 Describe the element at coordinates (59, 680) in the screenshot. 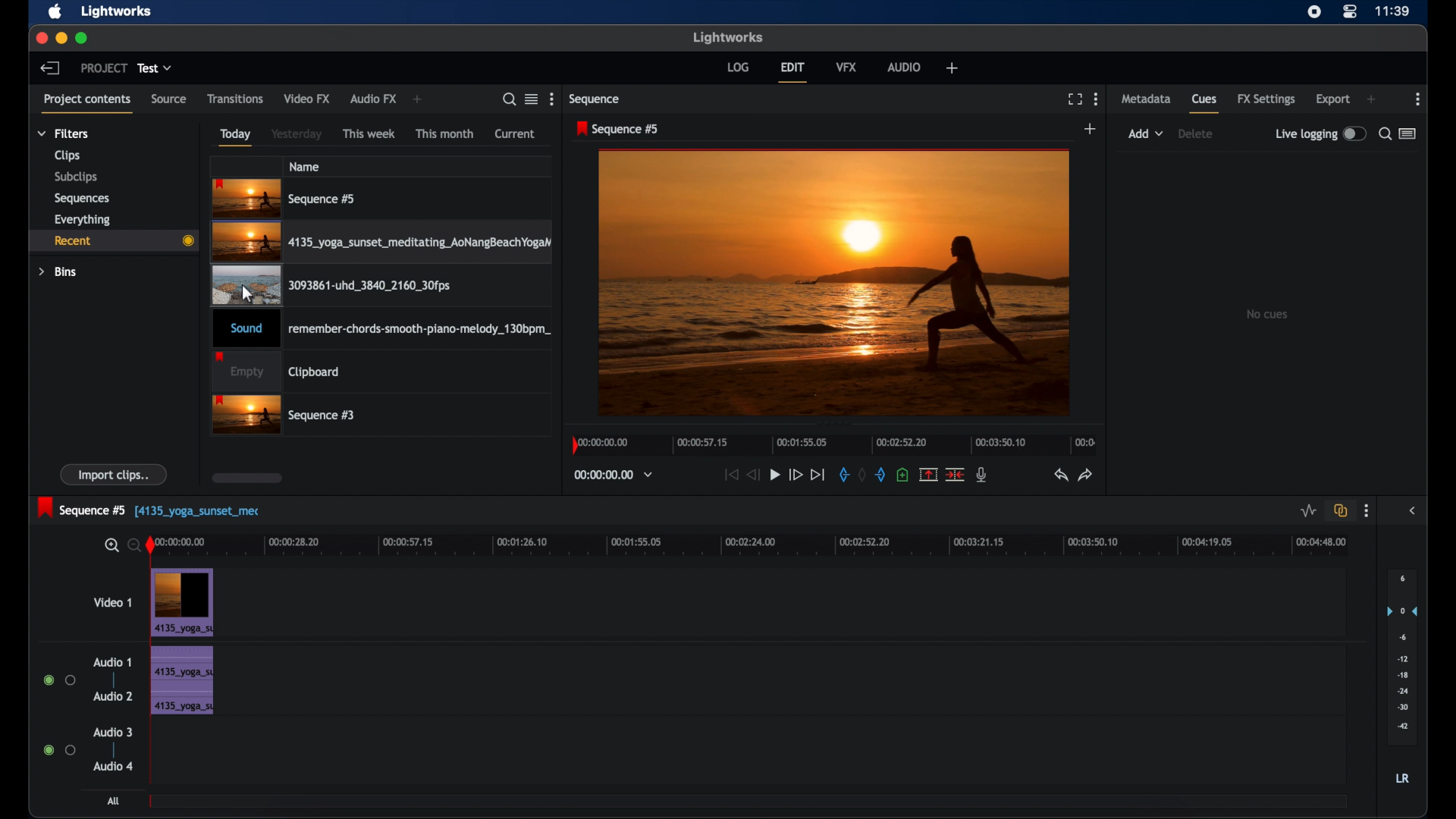

I see `radio buttons` at that location.